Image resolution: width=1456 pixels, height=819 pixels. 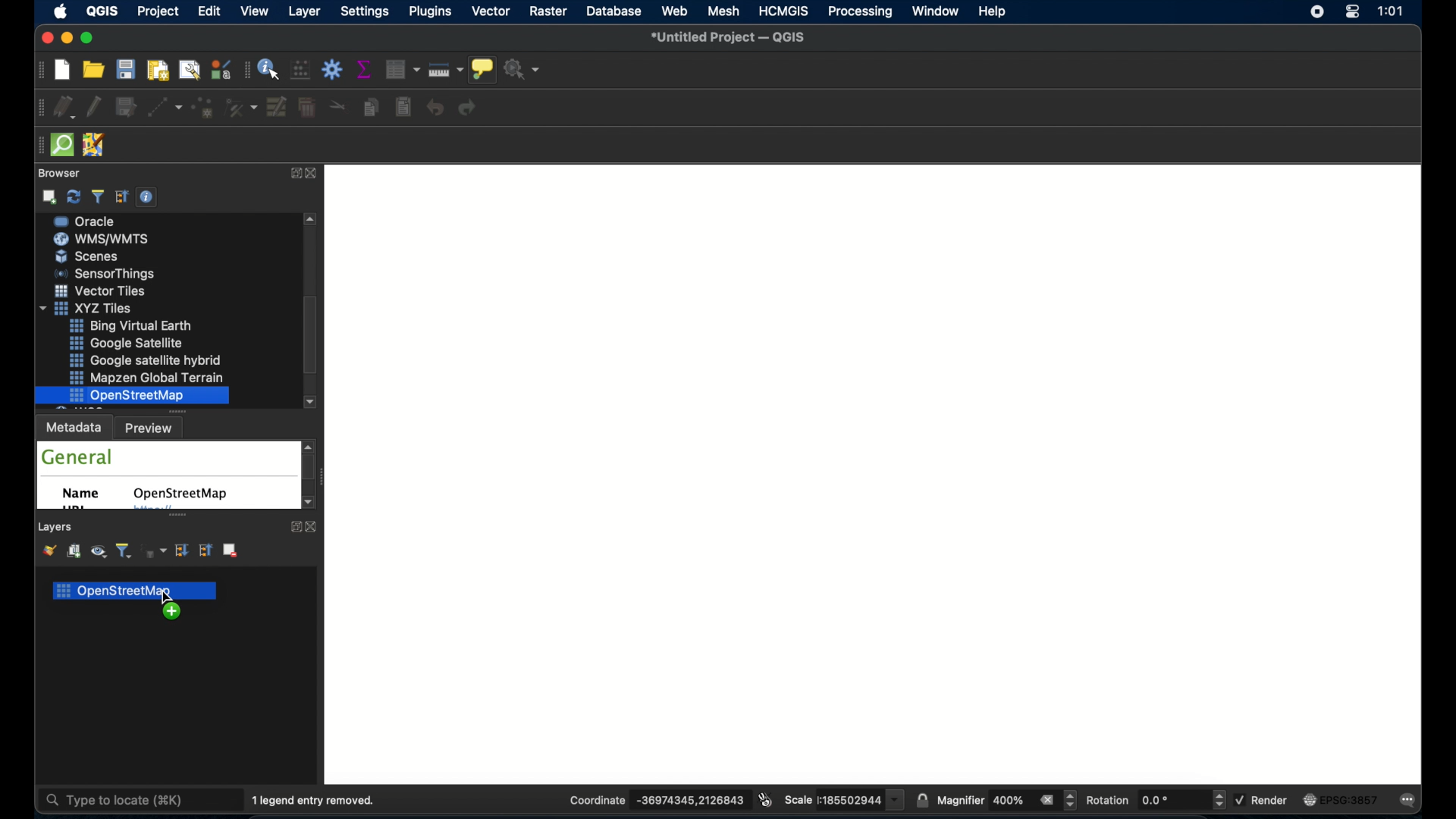 What do you see at coordinates (95, 146) in the screenshot?
I see `JSOM remote` at bounding box center [95, 146].